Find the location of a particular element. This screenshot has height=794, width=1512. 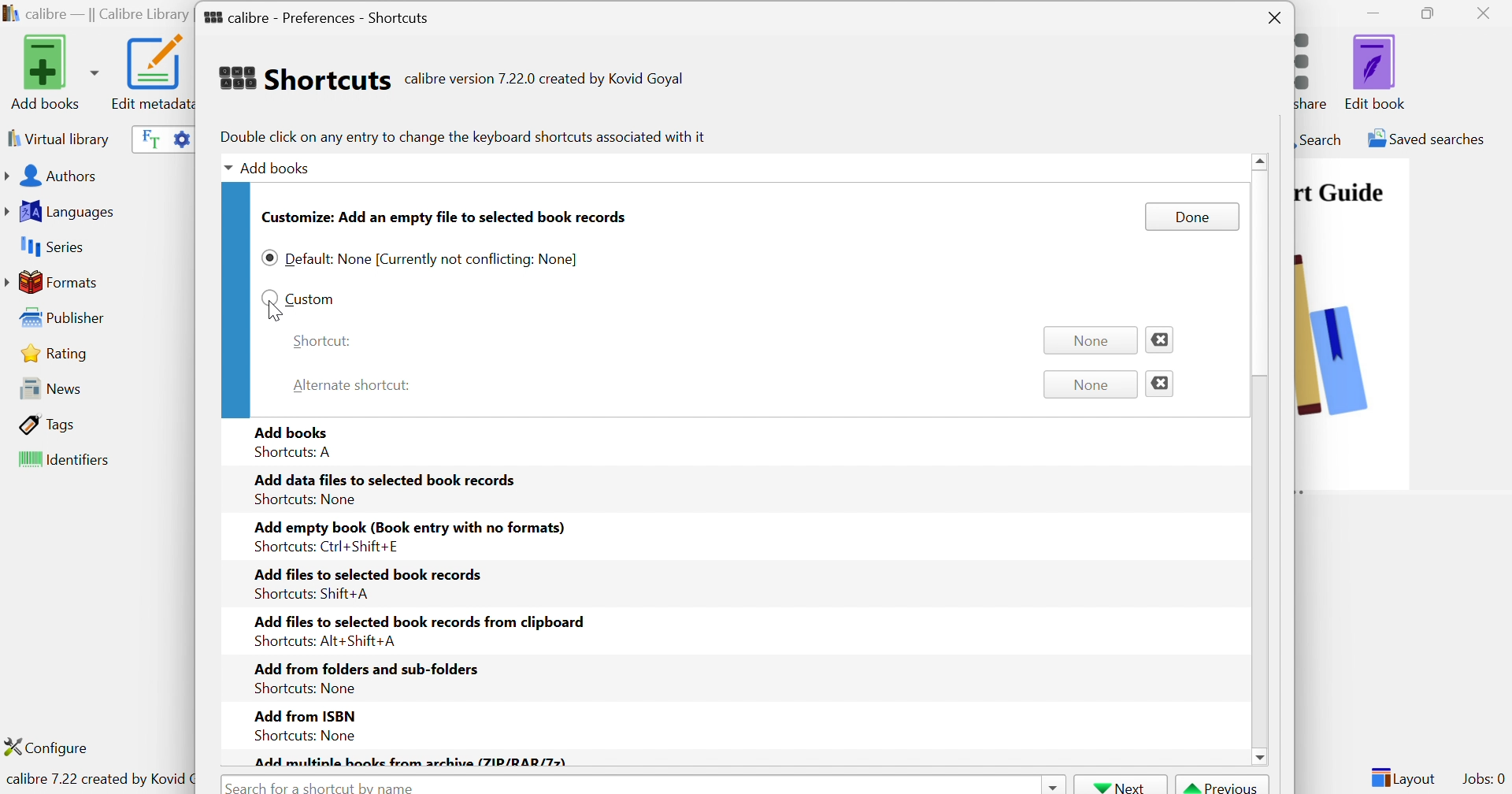

Drop Down is located at coordinates (224, 169).